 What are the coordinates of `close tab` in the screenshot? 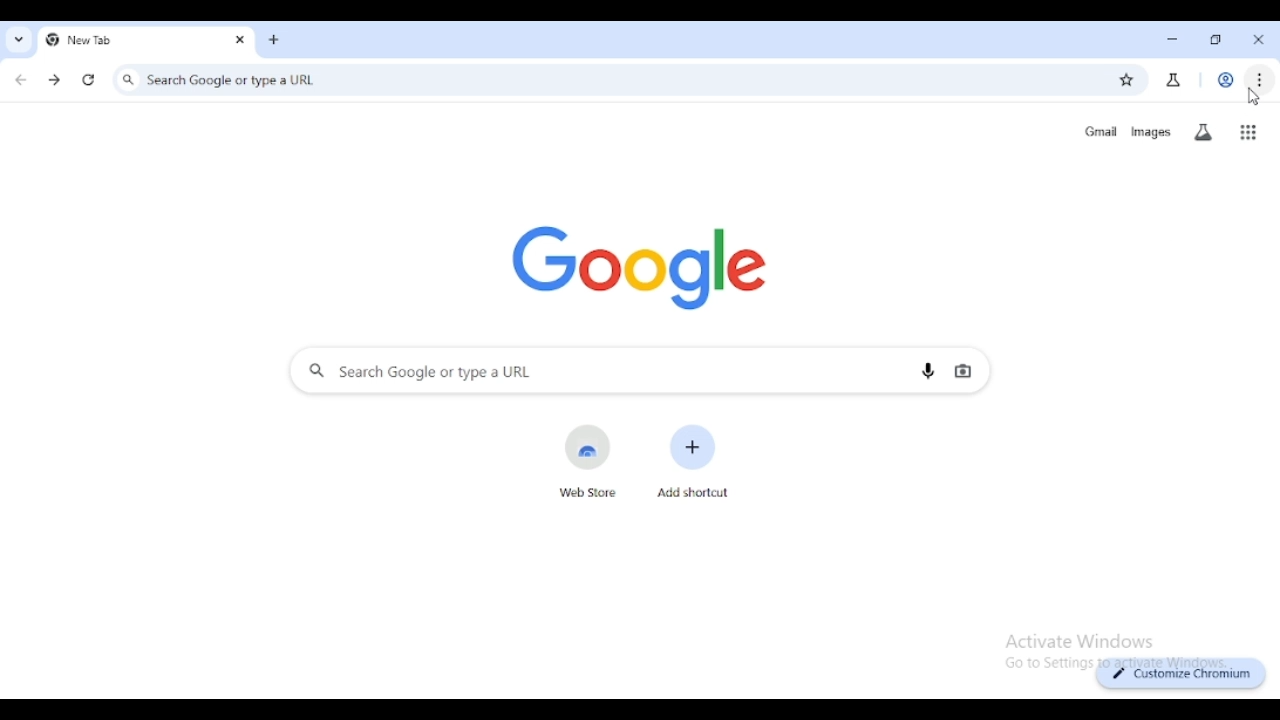 It's located at (1259, 39).